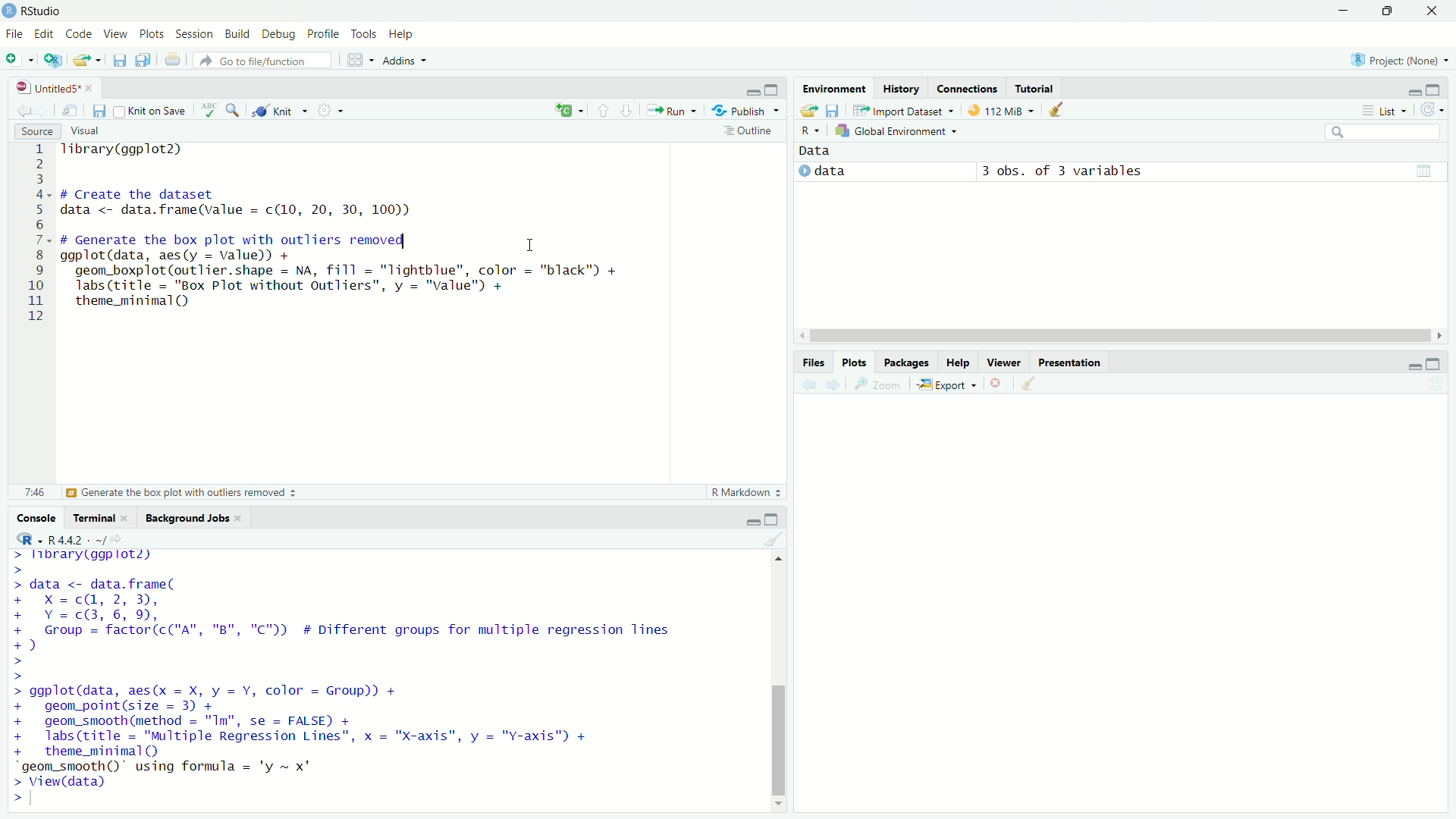  What do you see at coordinates (205, 108) in the screenshot?
I see `abc` at bounding box center [205, 108].